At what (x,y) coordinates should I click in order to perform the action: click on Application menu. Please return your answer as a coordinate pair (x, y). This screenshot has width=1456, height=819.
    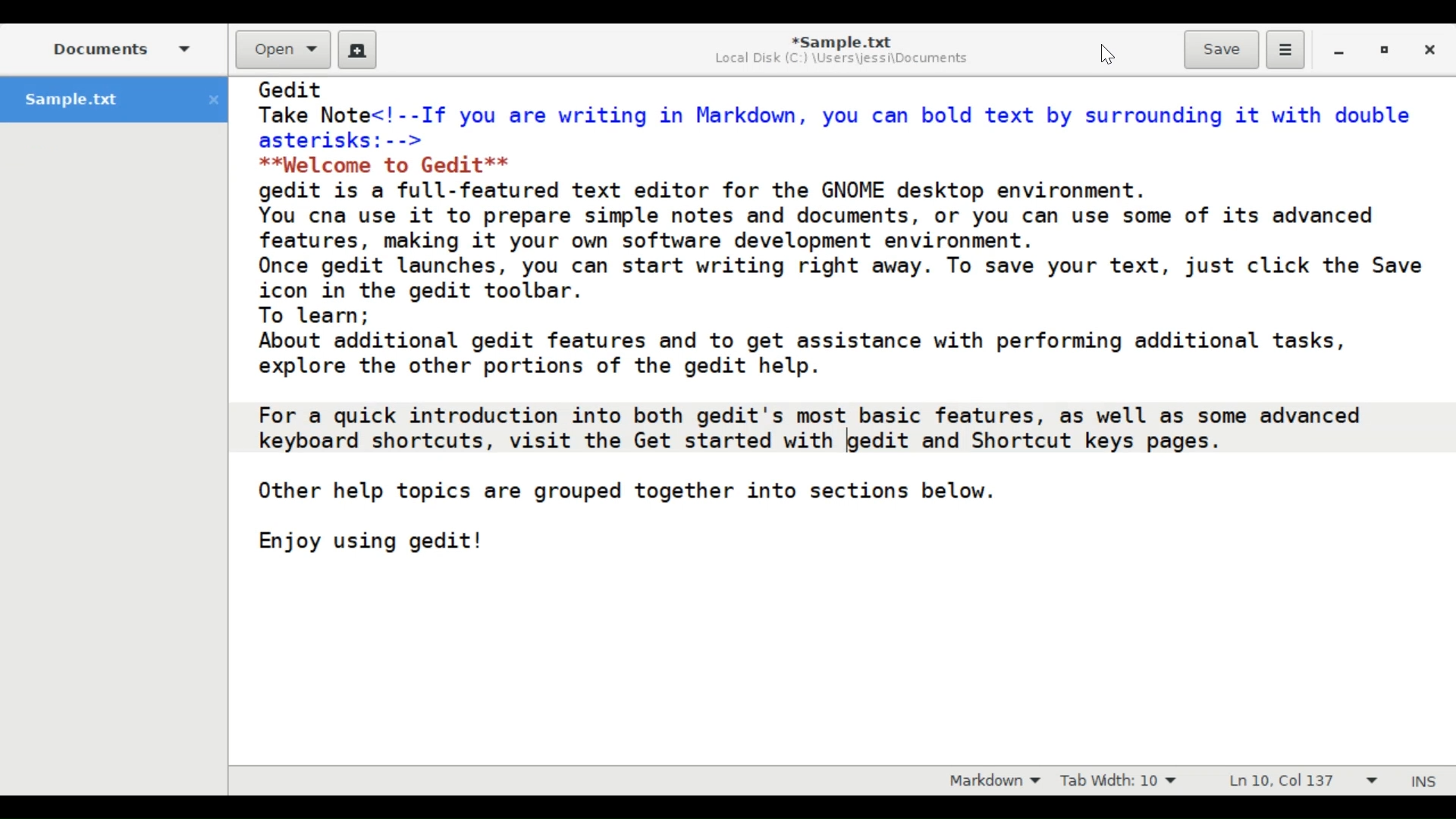
    Looking at the image, I should click on (1286, 49).